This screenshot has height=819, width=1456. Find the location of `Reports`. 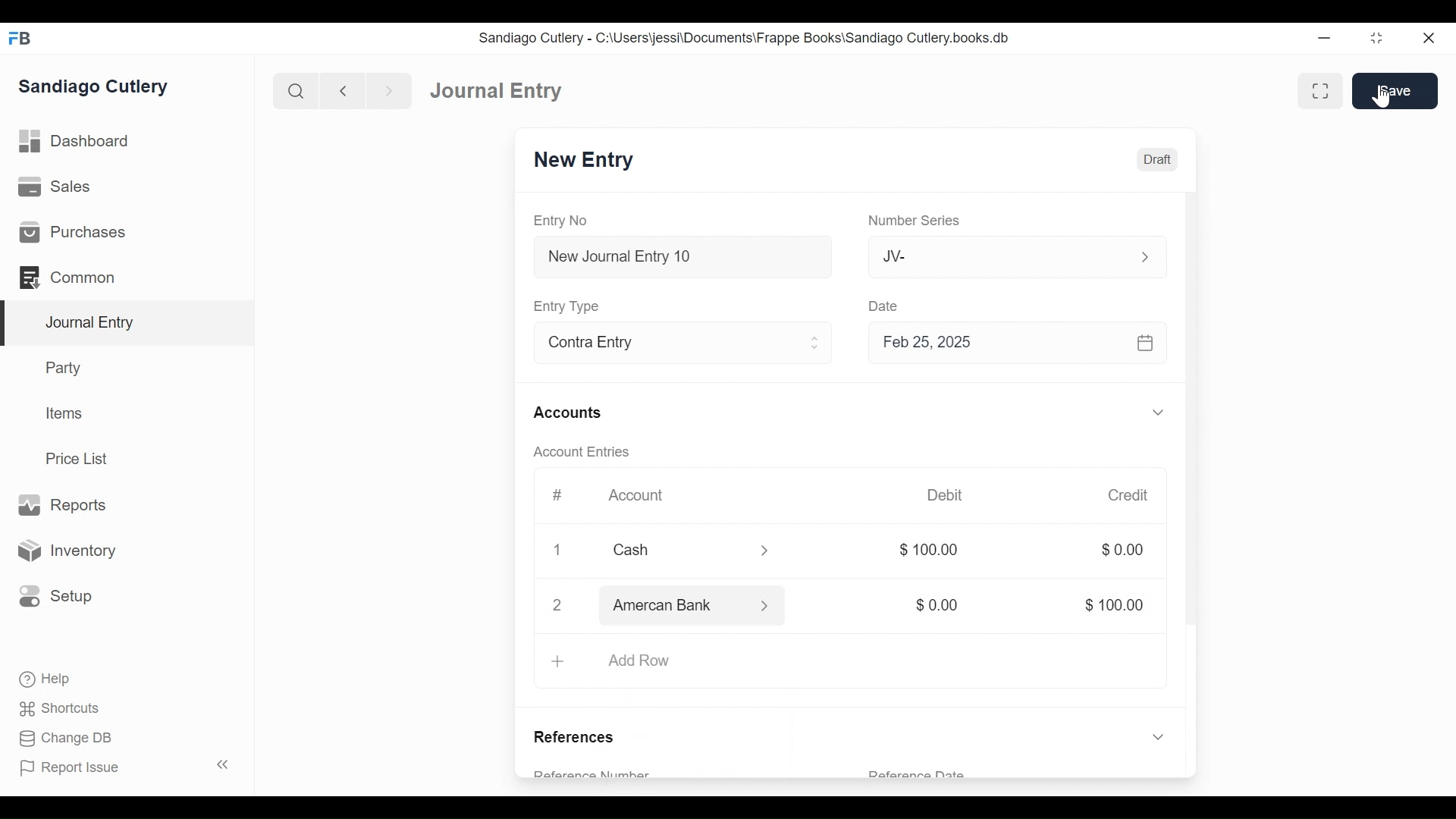

Reports is located at coordinates (61, 504).